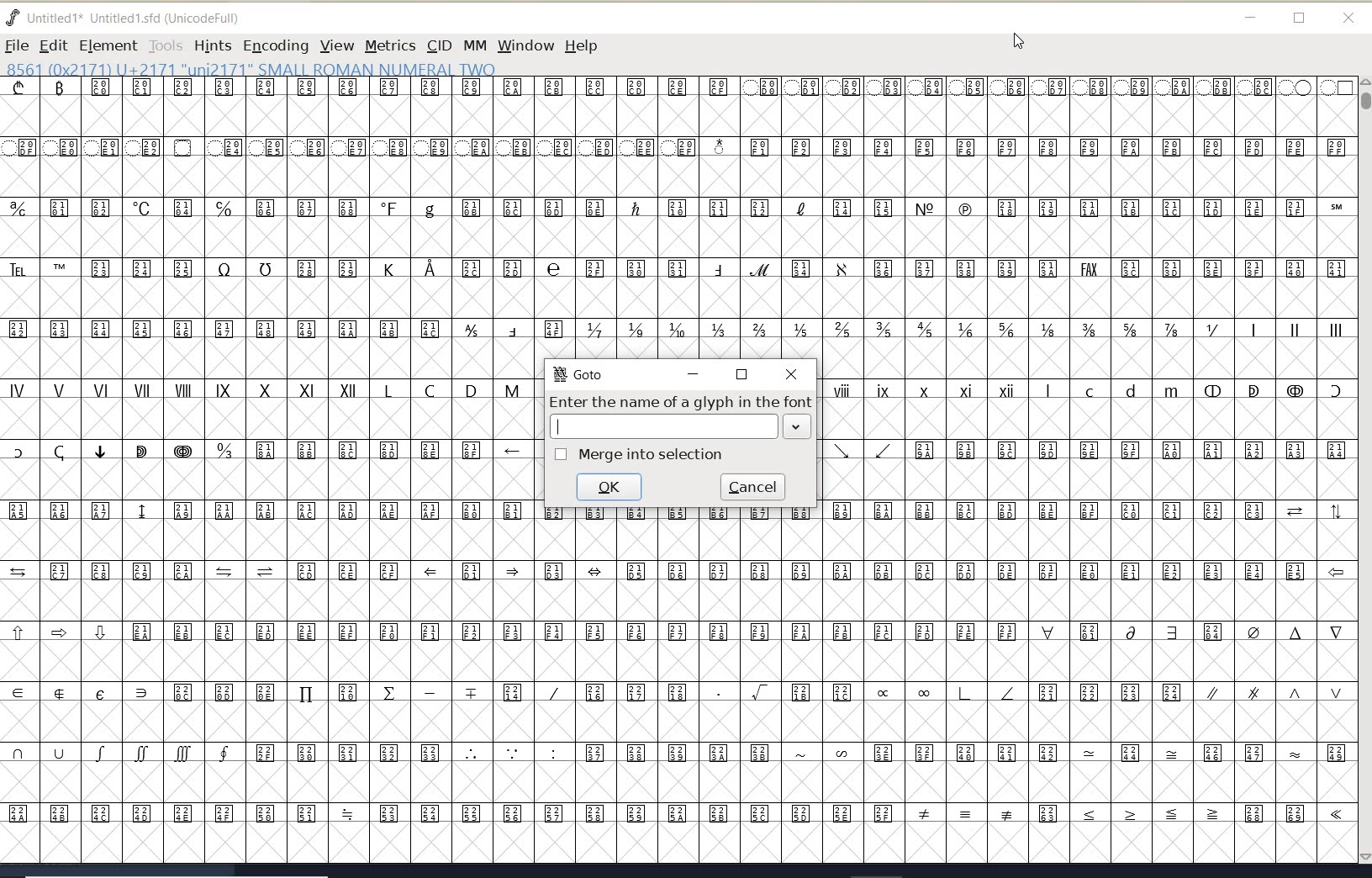 This screenshot has height=878, width=1372. Describe the element at coordinates (946, 692) in the screenshot. I see `GLYPHY CHARACTERS & NUMBERS` at that location.